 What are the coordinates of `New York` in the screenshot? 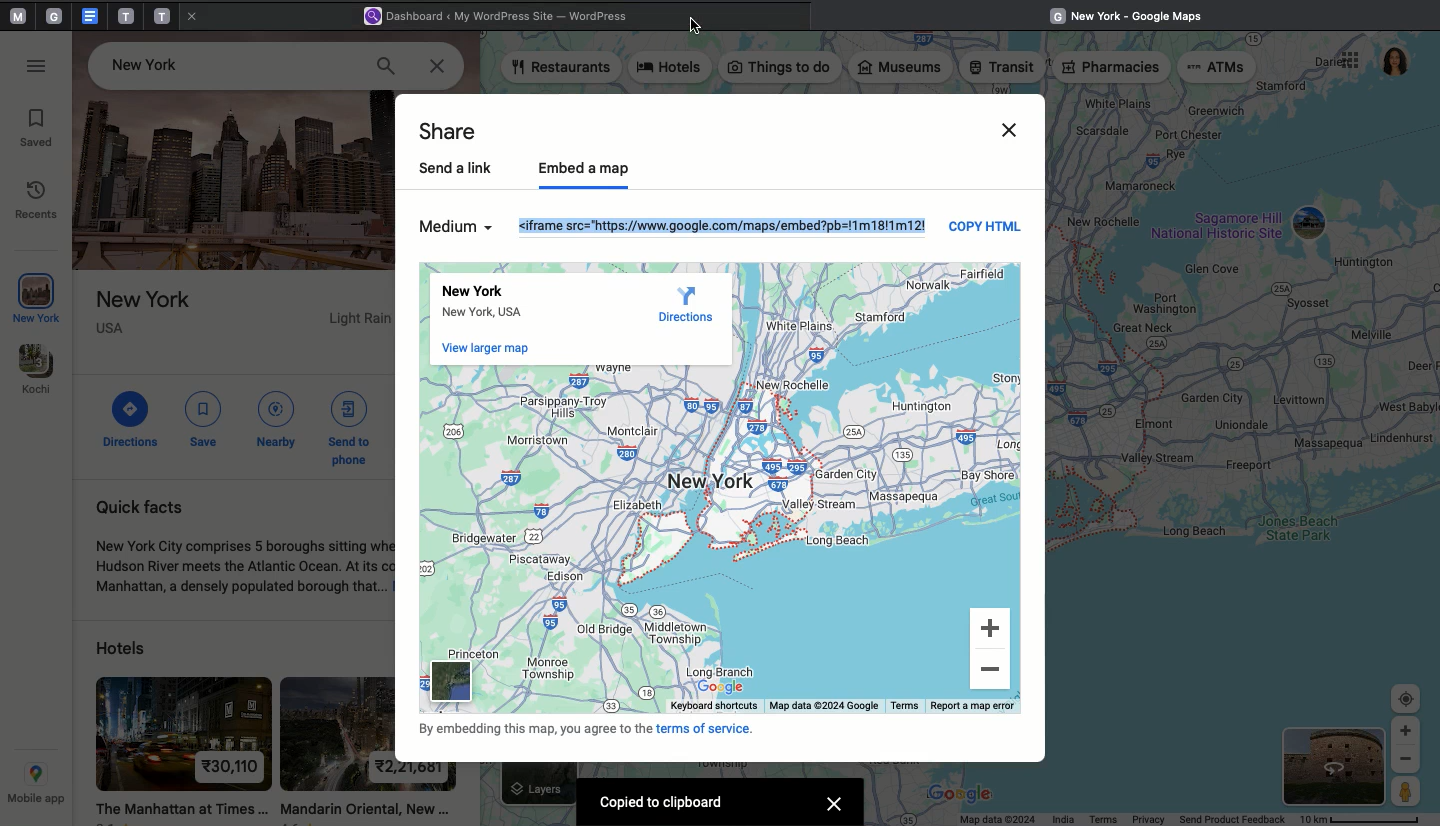 It's located at (504, 304).